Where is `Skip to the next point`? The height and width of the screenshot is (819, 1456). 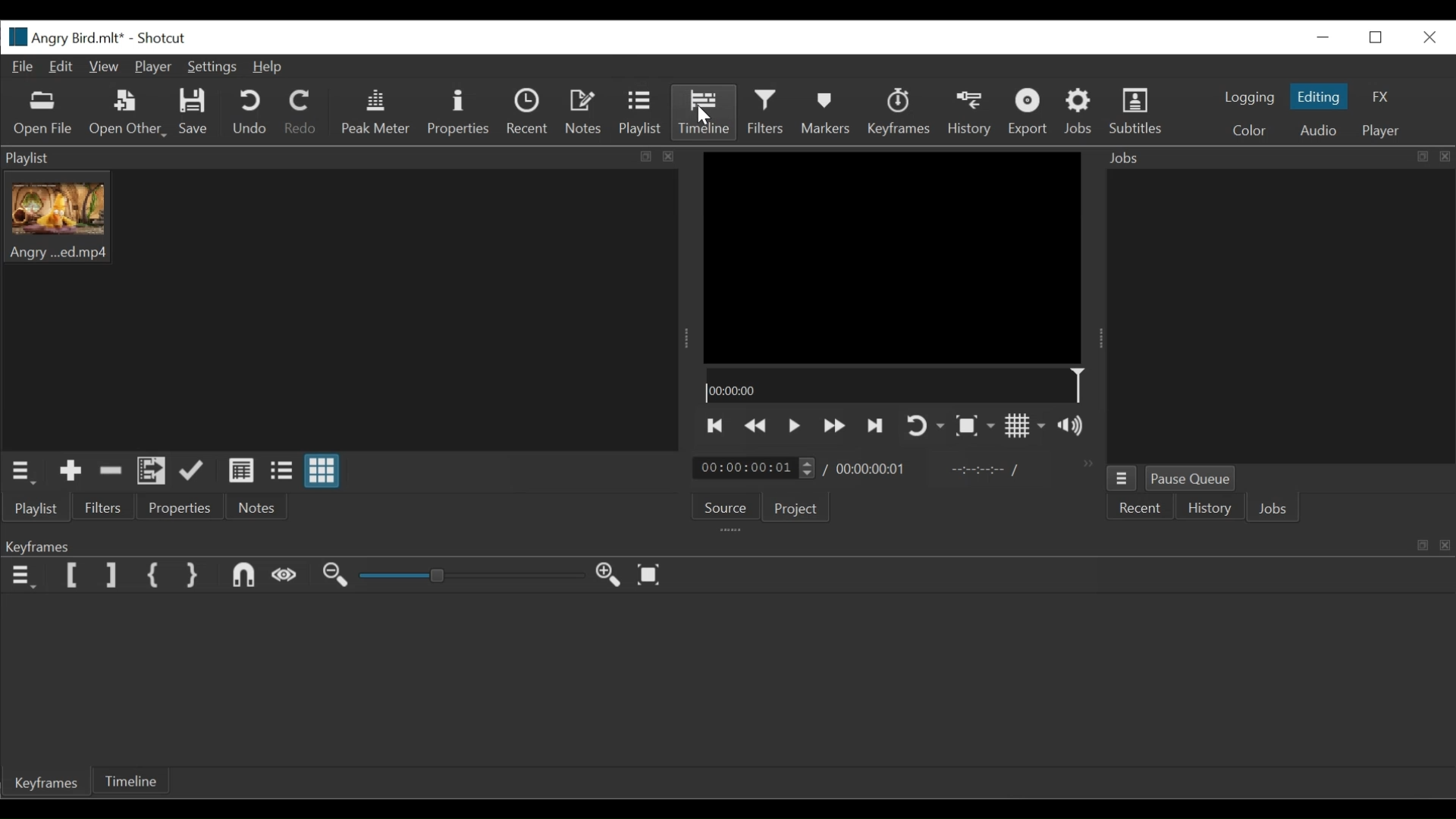 Skip to the next point is located at coordinates (877, 427).